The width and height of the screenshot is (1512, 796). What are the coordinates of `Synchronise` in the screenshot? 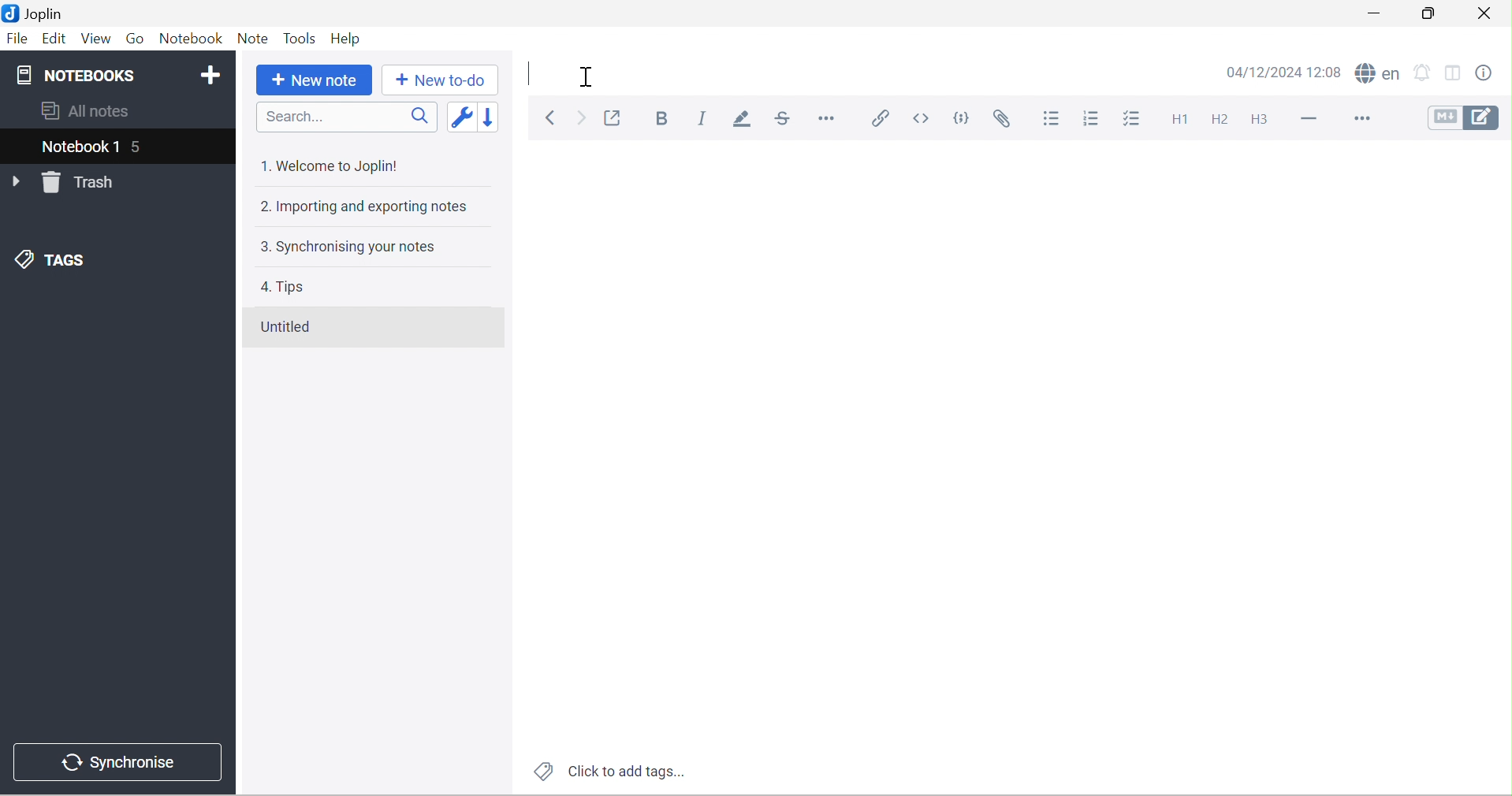 It's located at (122, 764).